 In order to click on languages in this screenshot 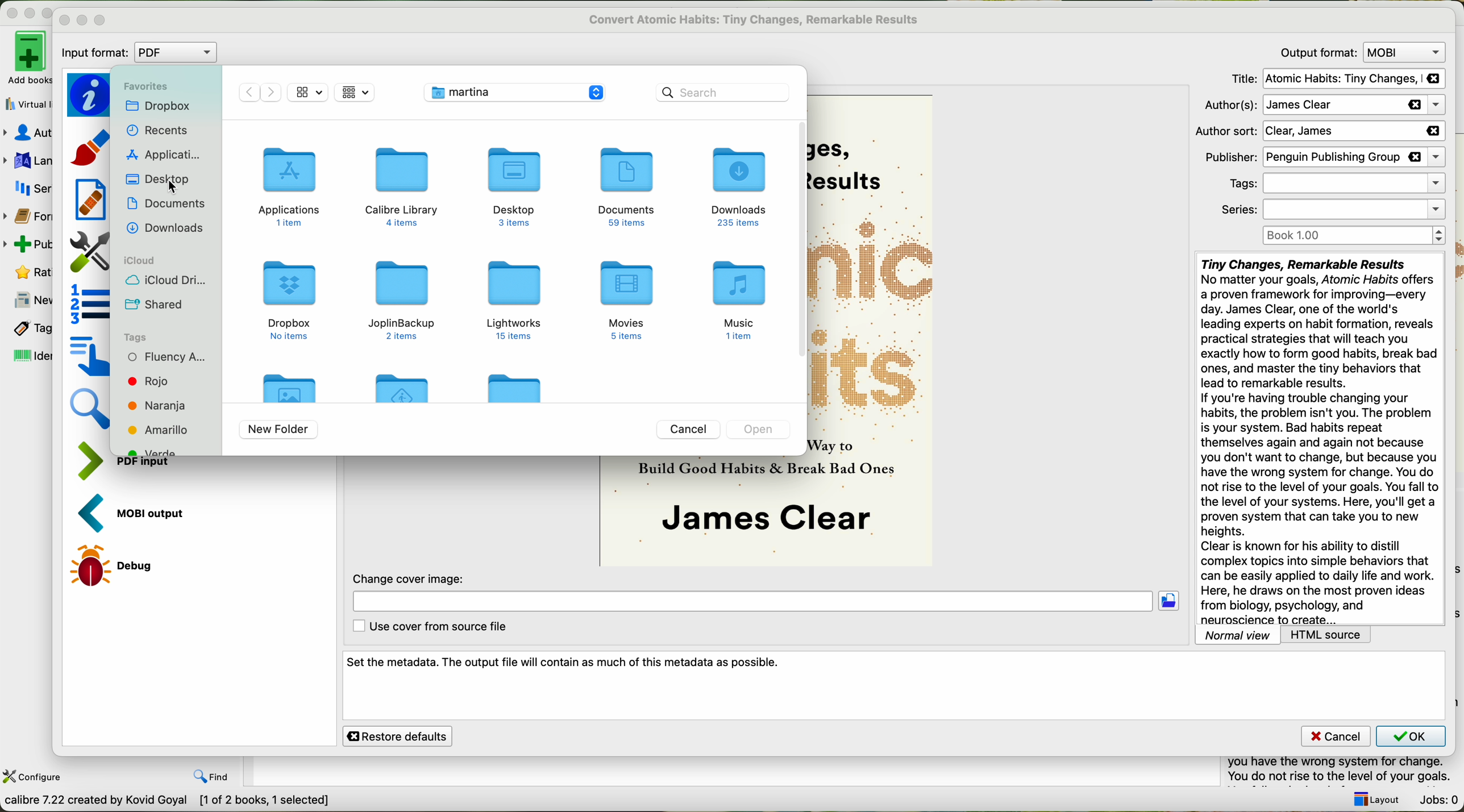, I will do `click(26, 162)`.